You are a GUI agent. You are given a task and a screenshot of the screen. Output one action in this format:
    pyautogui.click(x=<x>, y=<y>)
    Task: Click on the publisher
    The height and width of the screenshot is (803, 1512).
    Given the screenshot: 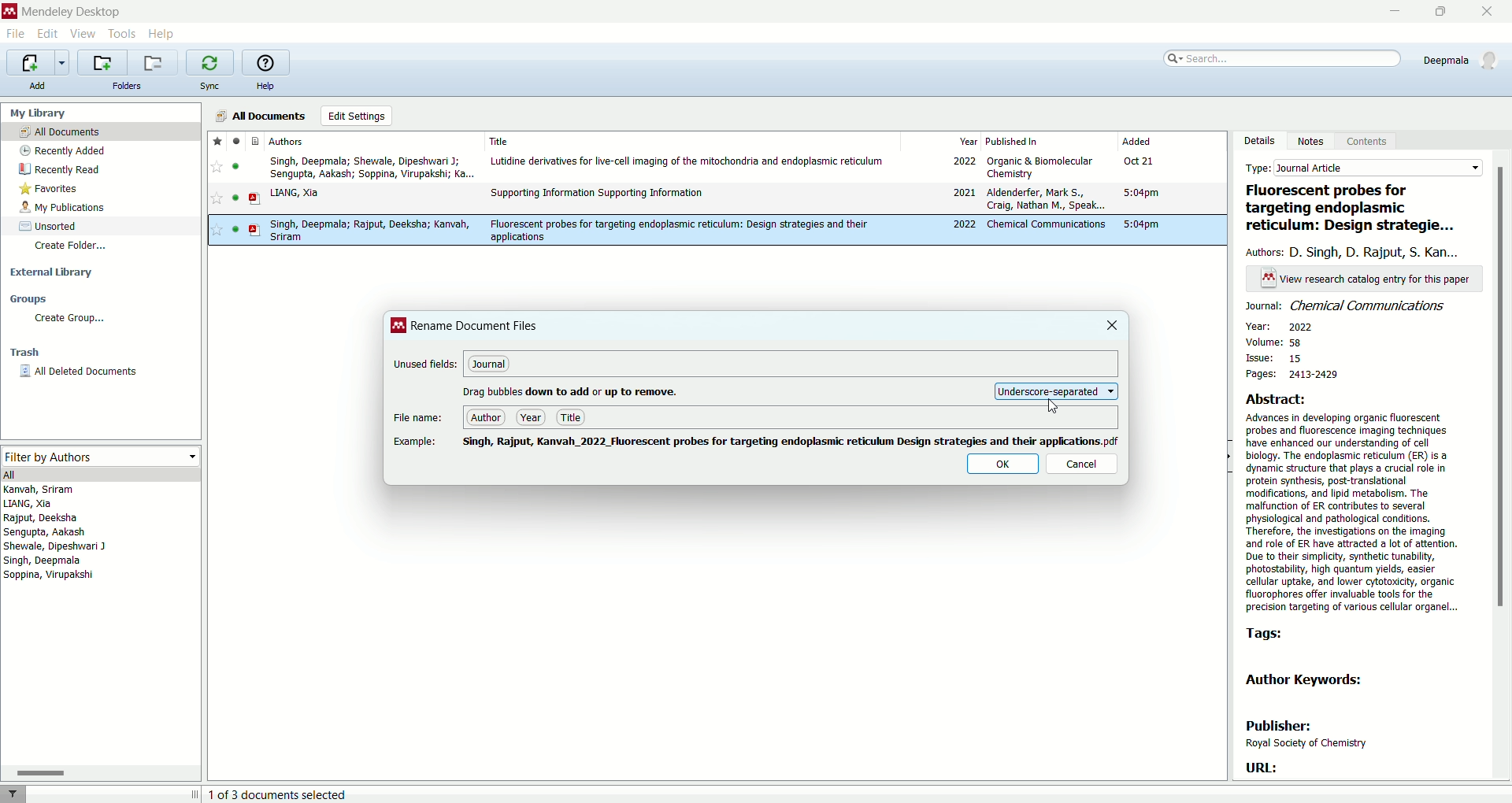 What is the action you would take?
    pyautogui.click(x=1306, y=735)
    